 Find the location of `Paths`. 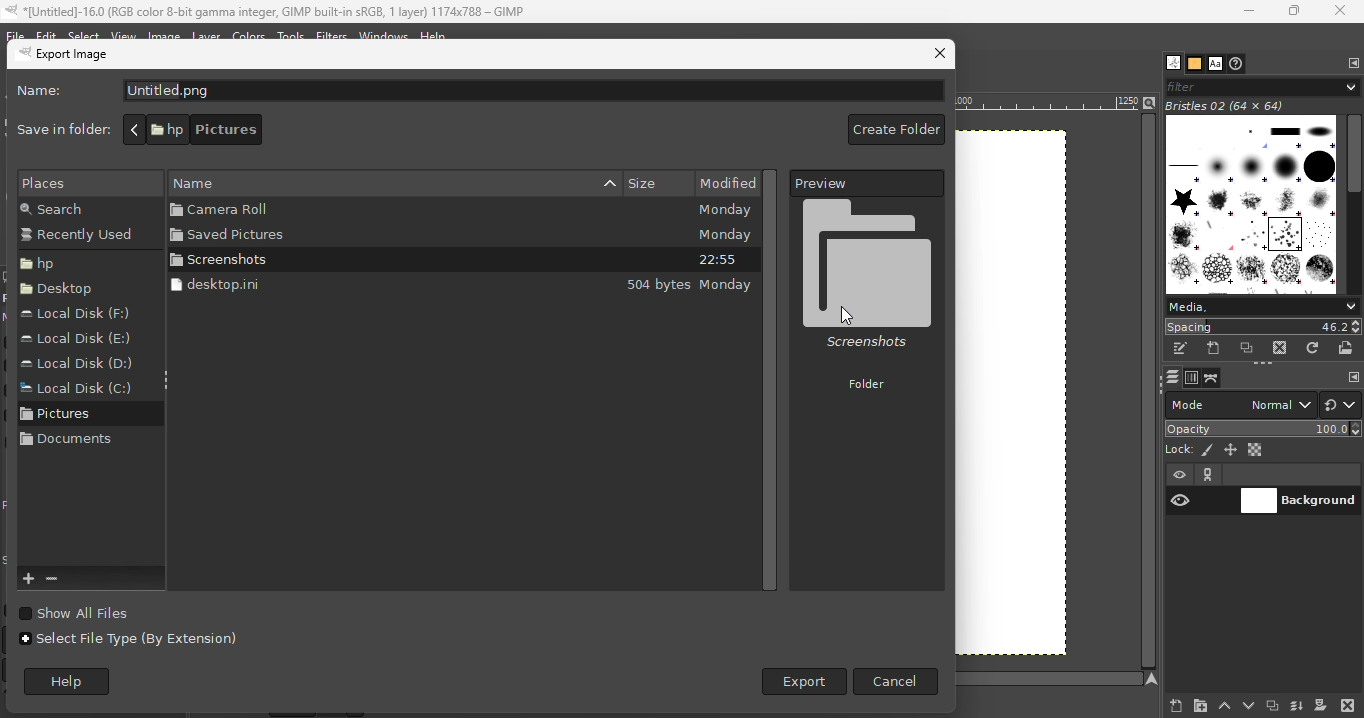

Paths is located at coordinates (1211, 379).